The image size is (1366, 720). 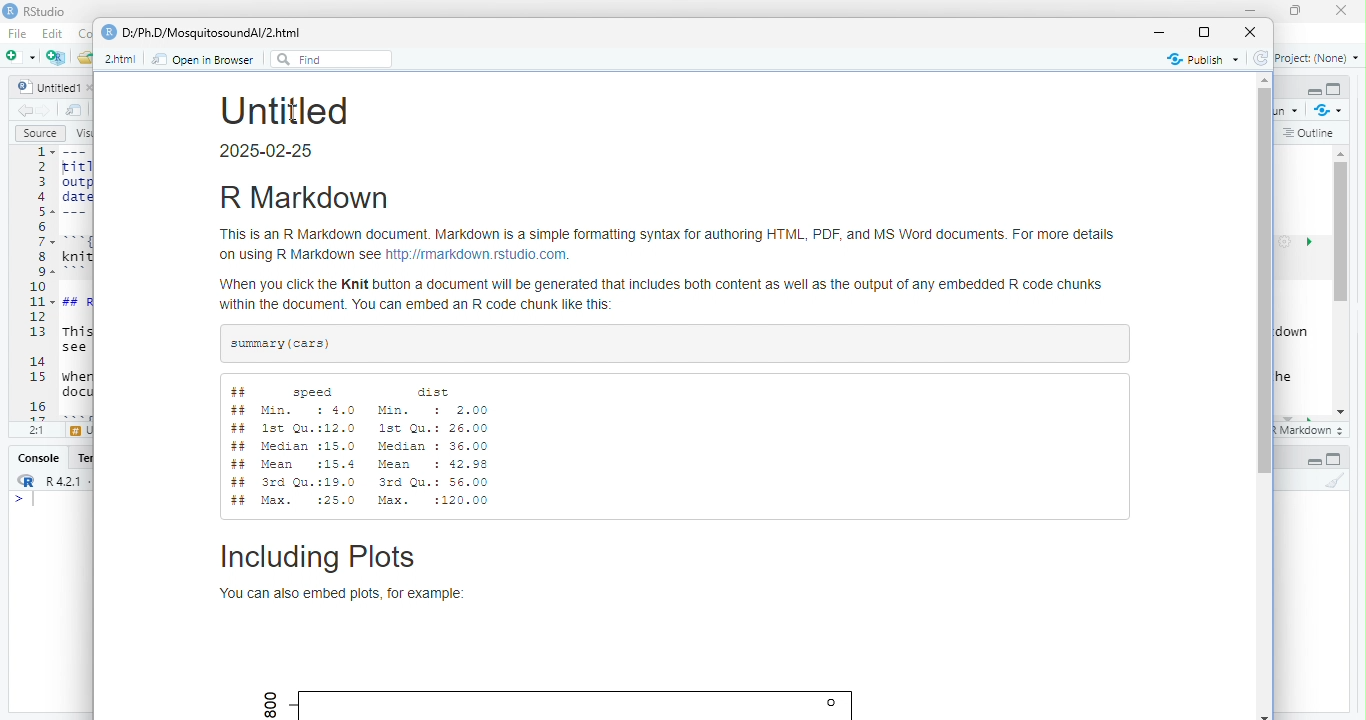 What do you see at coordinates (1330, 110) in the screenshot?
I see `Syncing ` at bounding box center [1330, 110].